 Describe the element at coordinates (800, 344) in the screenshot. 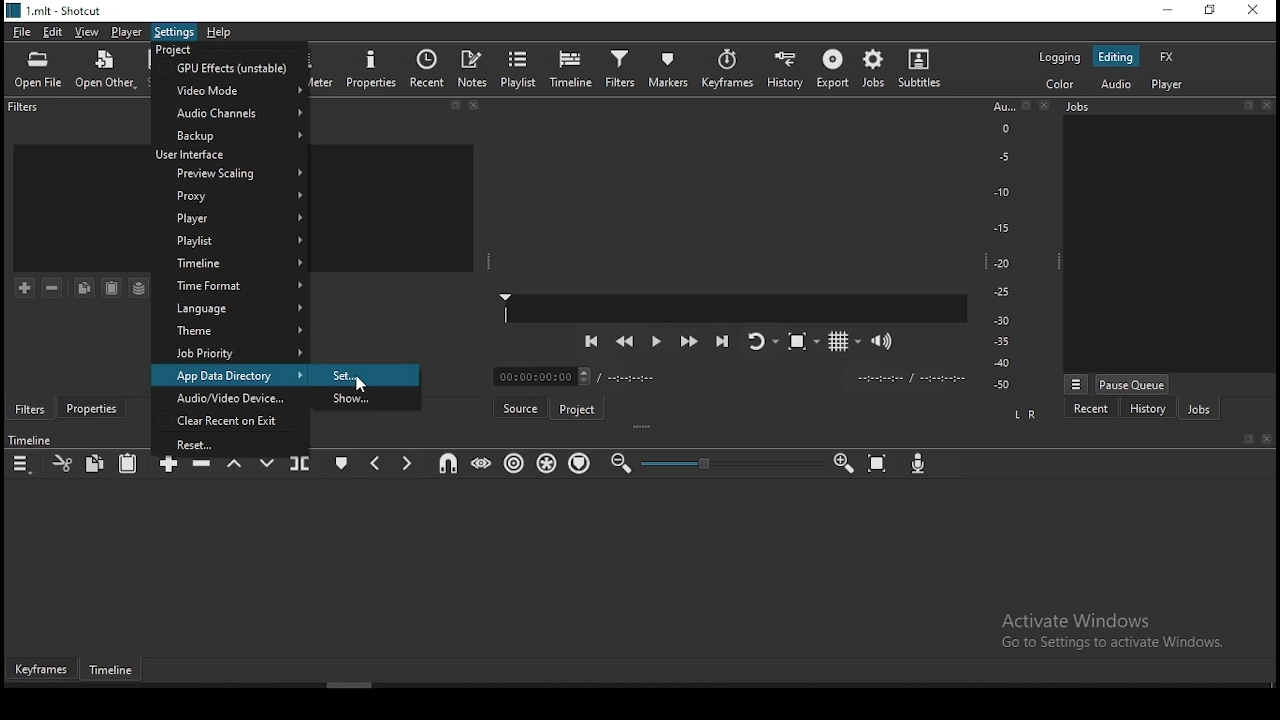

I see `toggle zoom` at that location.